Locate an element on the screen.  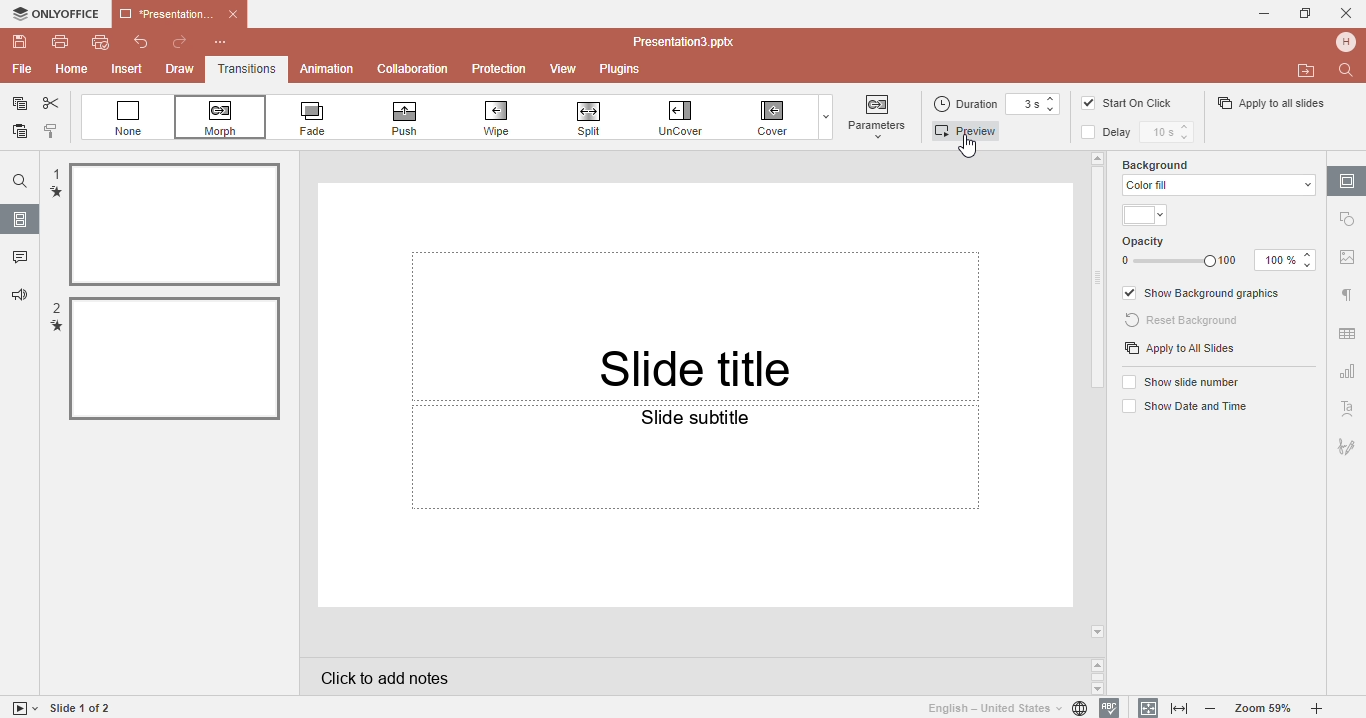
Collabration is located at coordinates (413, 70).